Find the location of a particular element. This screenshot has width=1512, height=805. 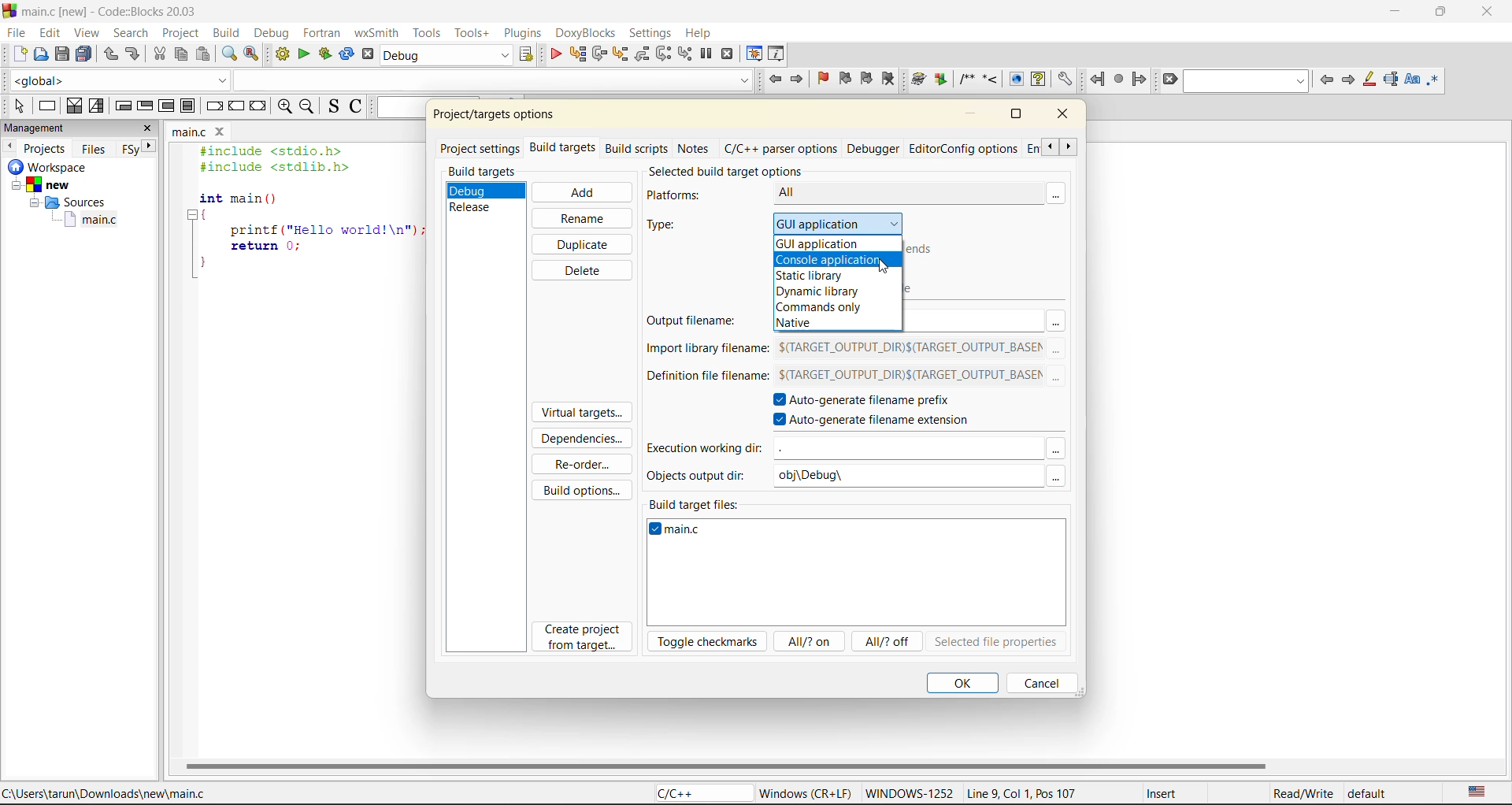

project settings is located at coordinates (482, 147).